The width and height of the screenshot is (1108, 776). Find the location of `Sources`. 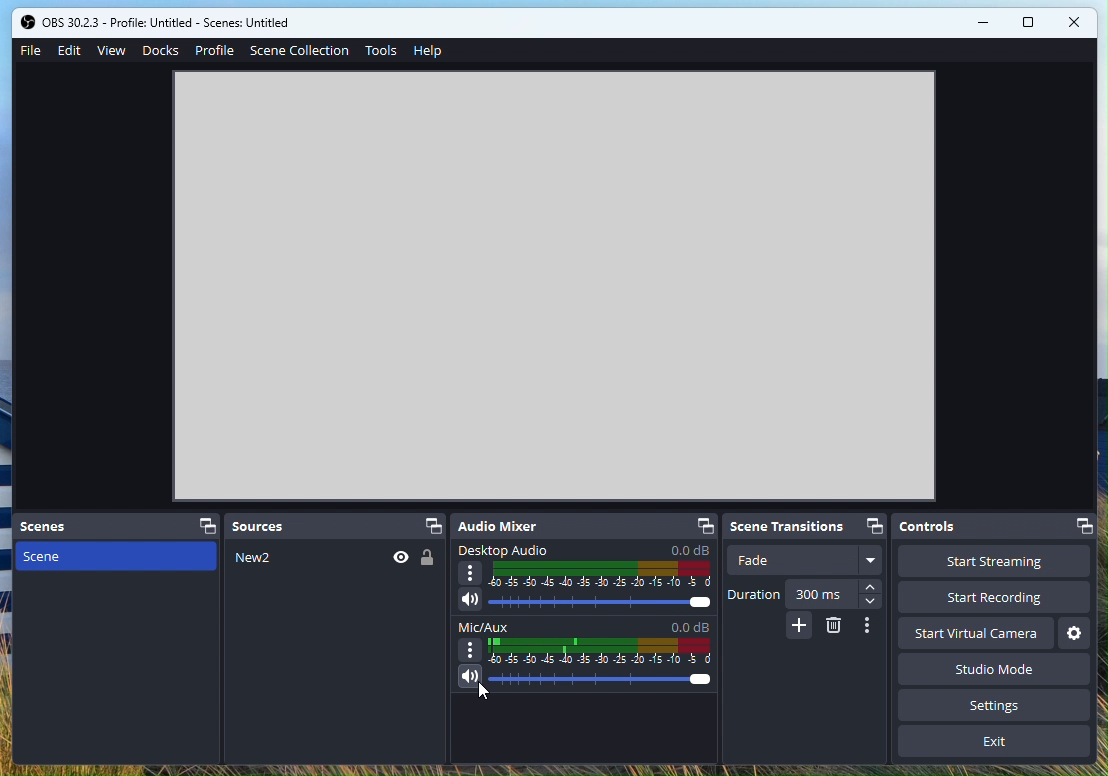

Sources is located at coordinates (336, 526).